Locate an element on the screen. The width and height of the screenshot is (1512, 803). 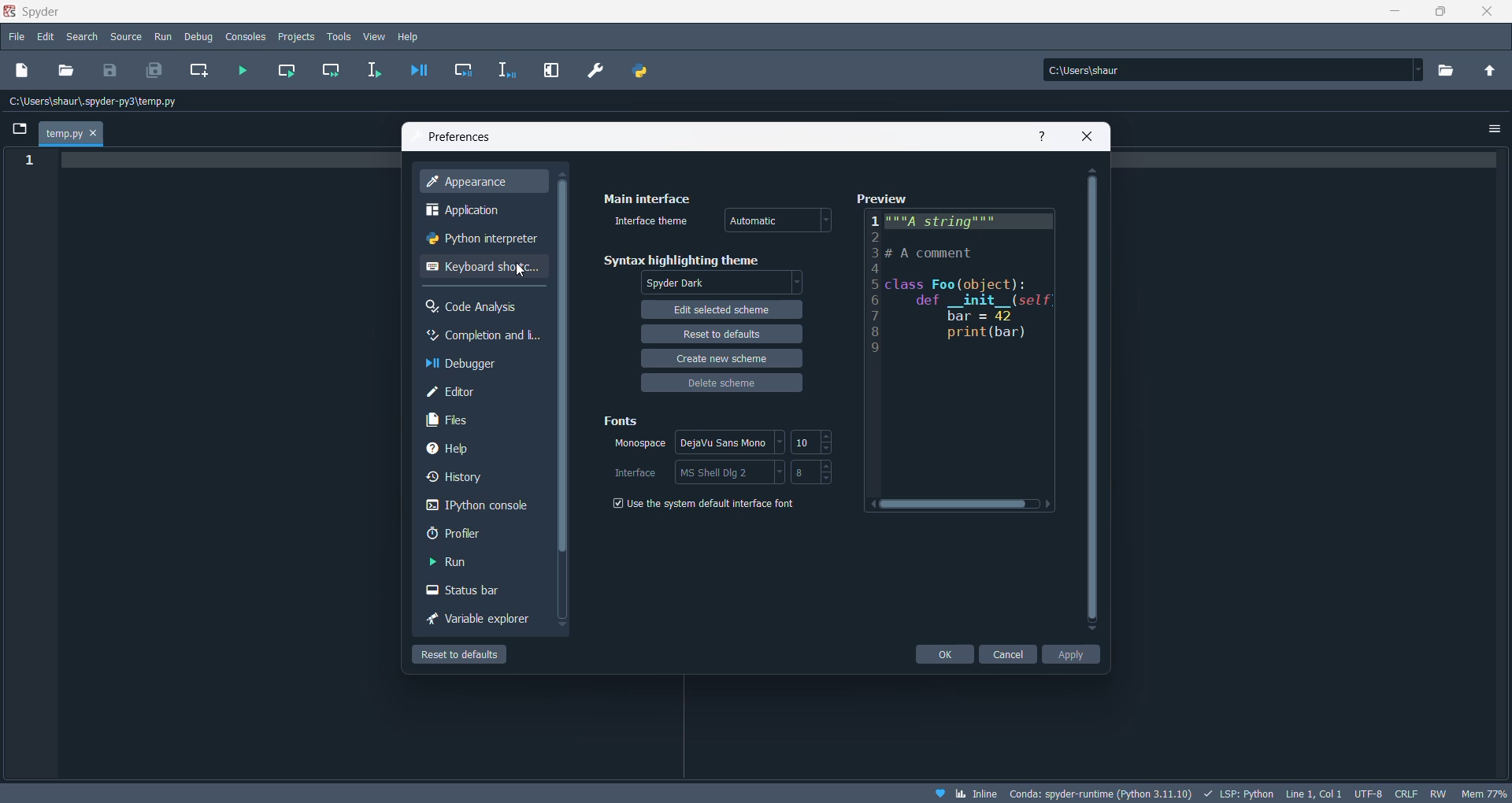
scrollbar is located at coordinates (961, 505).